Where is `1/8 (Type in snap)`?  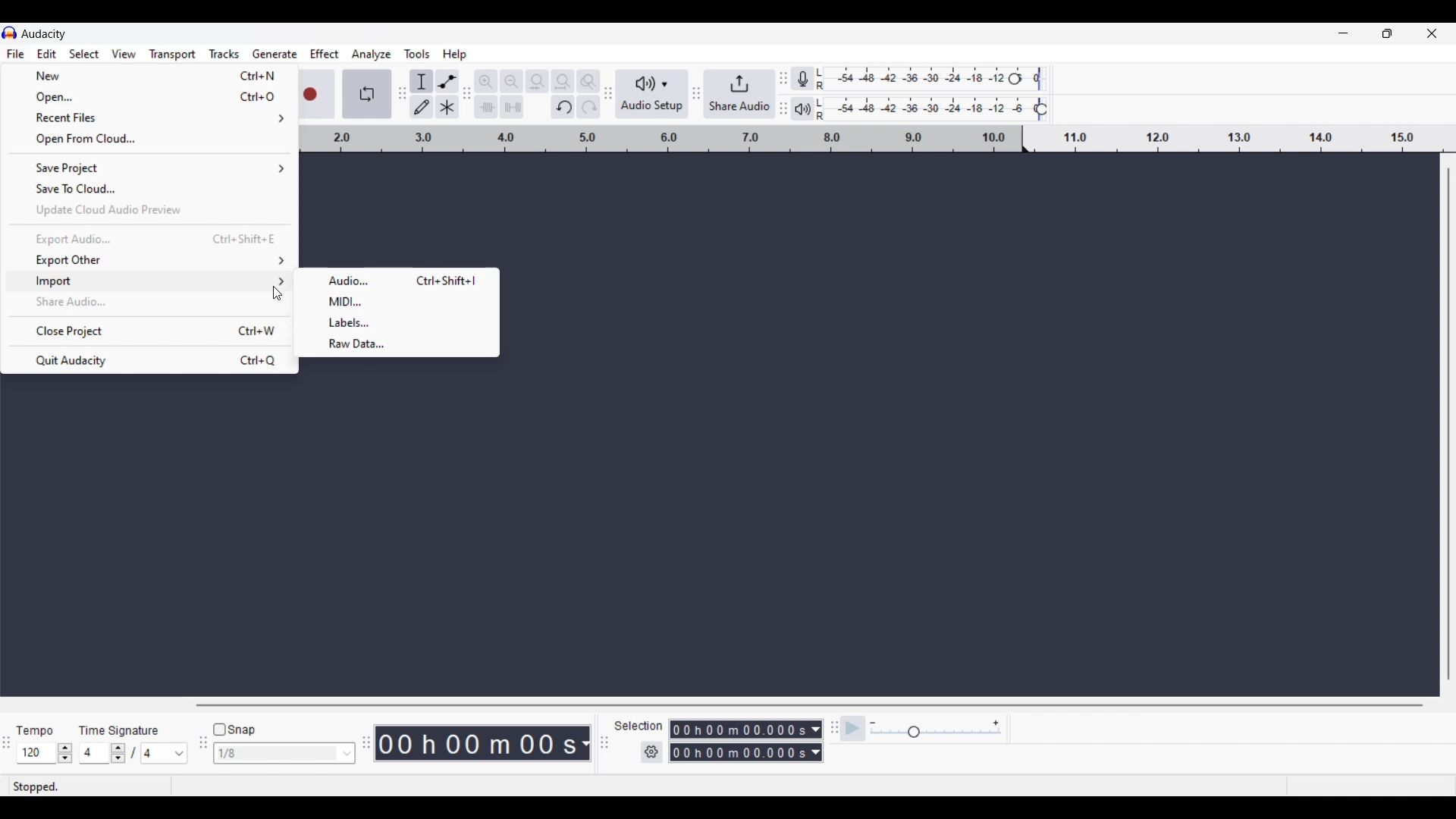
1/8 (Type in snap) is located at coordinates (274, 755).